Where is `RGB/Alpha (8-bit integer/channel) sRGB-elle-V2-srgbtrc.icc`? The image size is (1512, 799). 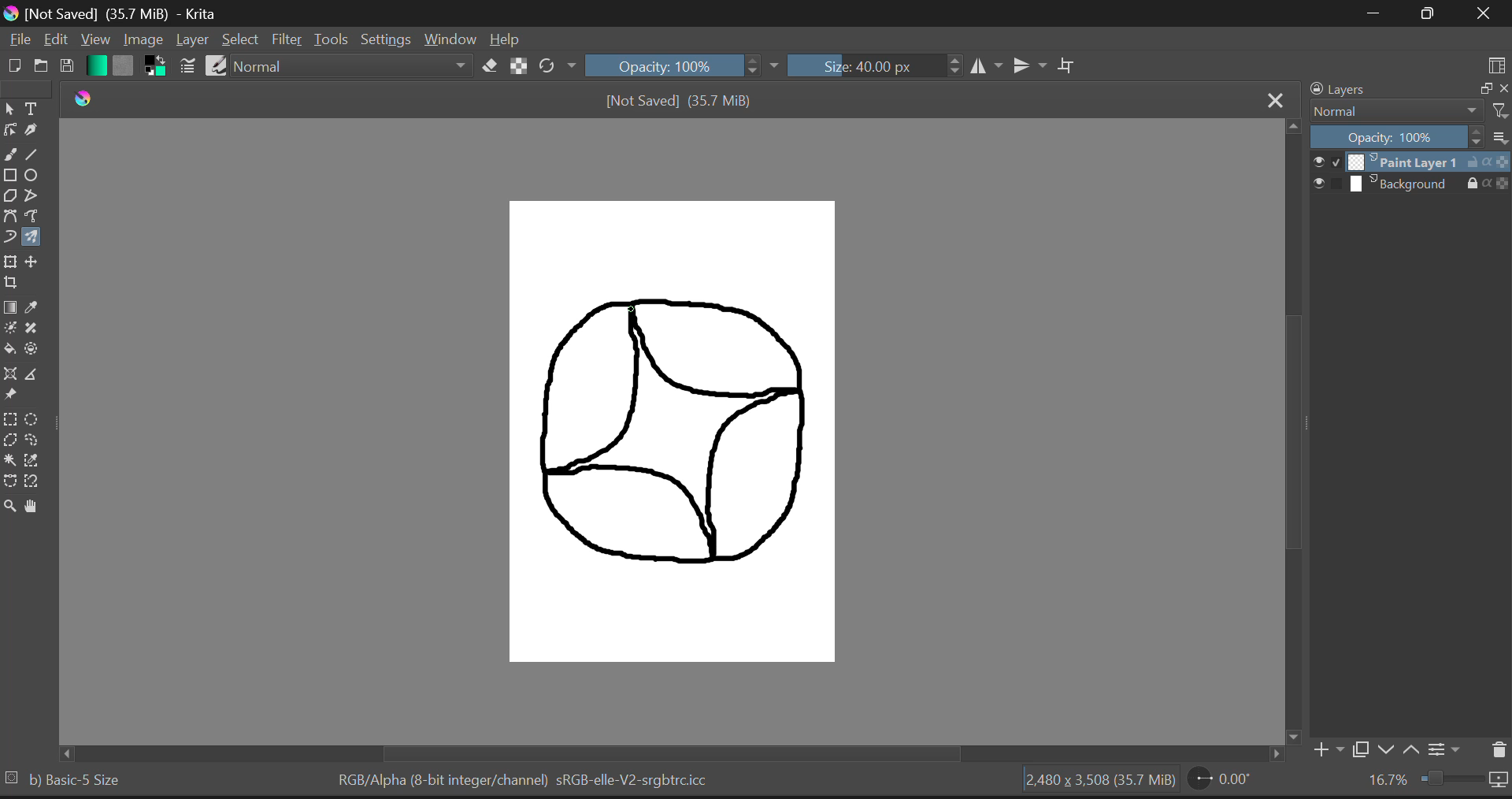
RGB/Alpha (8-bit integer/channel) sRGB-elle-V2-srgbtrc.icc is located at coordinates (547, 781).